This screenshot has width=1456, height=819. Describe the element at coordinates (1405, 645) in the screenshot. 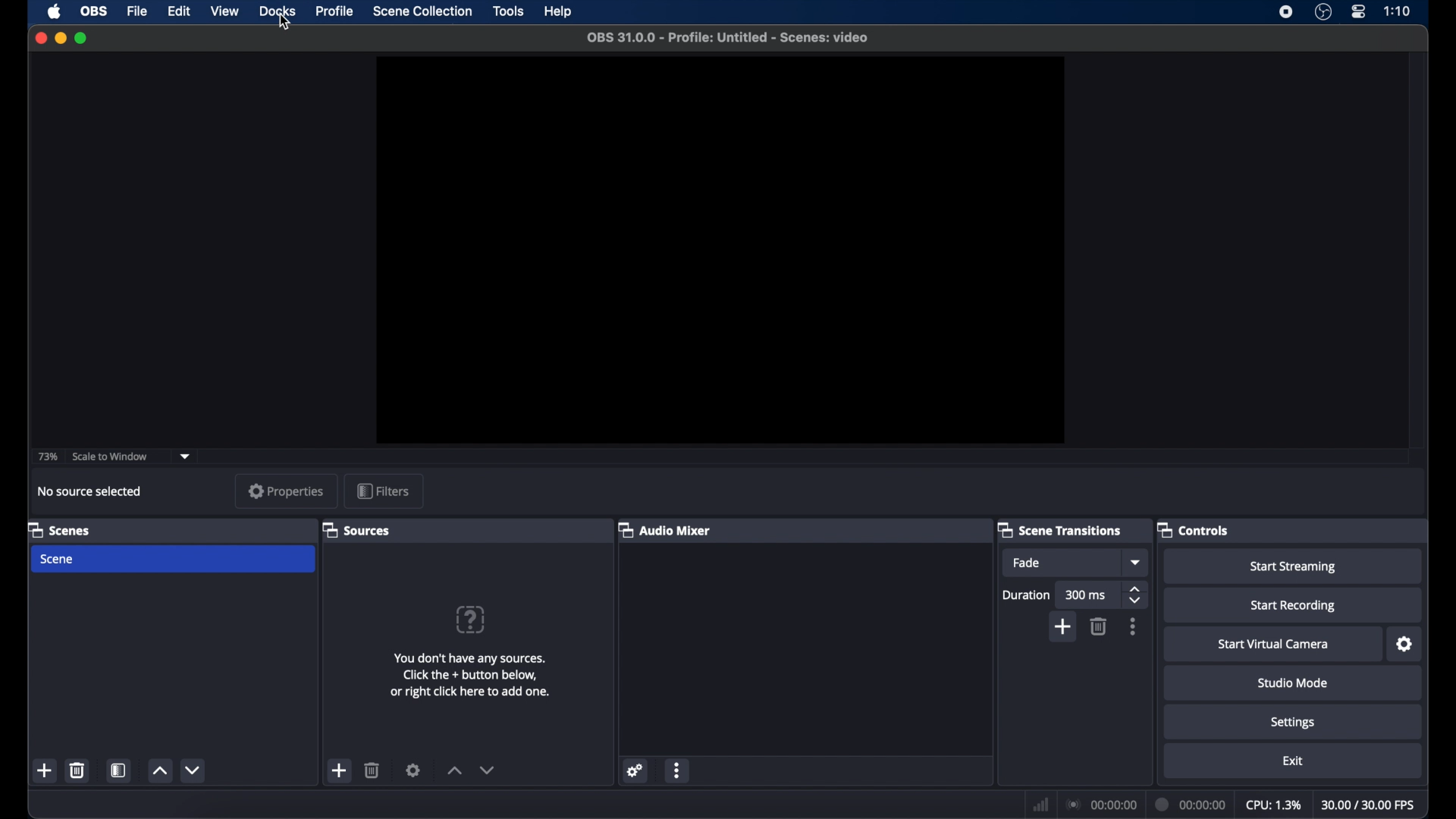

I see `settings` at that location.